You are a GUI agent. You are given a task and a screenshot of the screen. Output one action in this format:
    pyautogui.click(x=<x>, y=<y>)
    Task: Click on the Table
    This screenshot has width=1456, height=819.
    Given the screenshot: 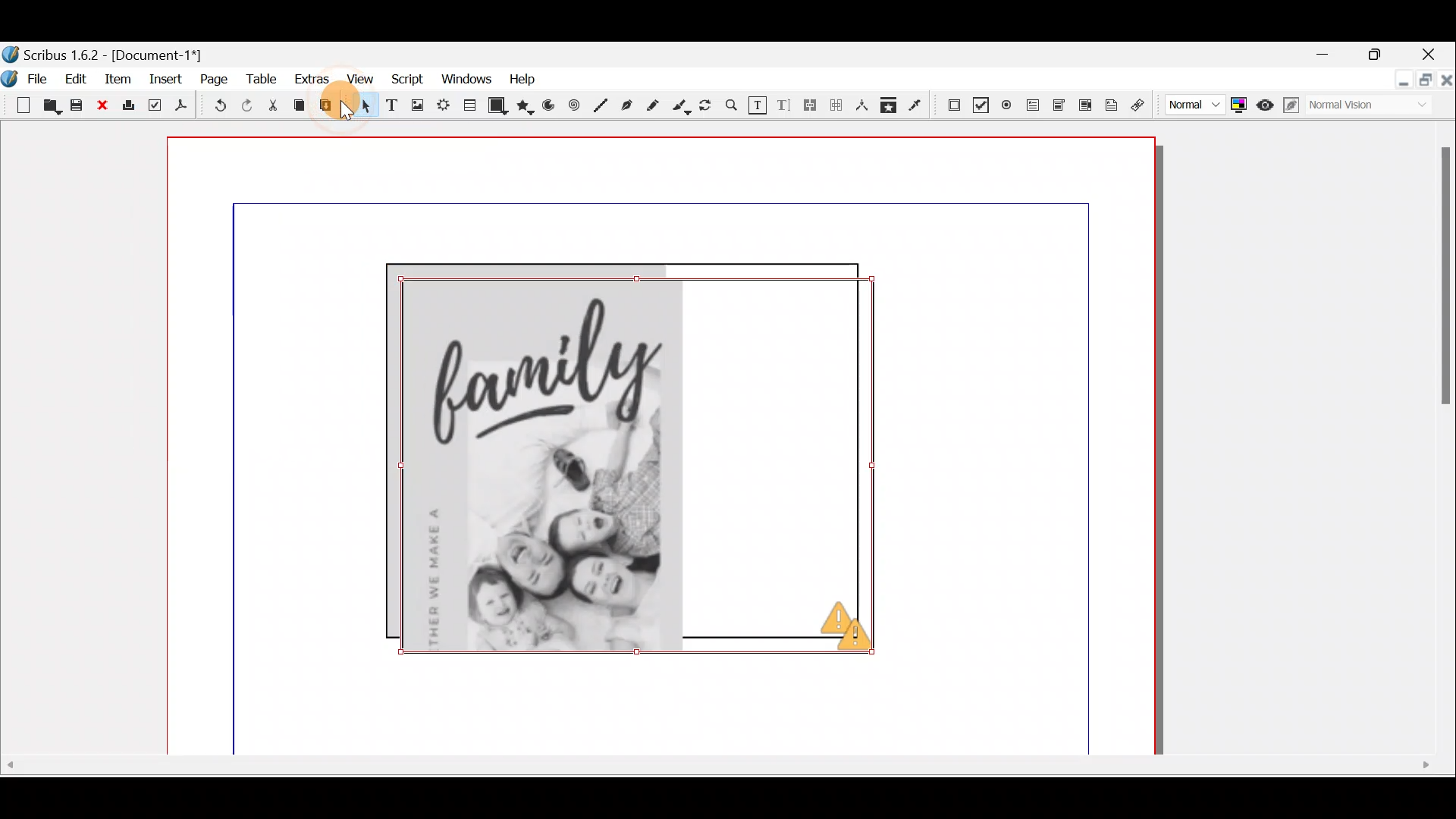 What is the action you would take?
    pyautogui.click(x=261, y=83)
    